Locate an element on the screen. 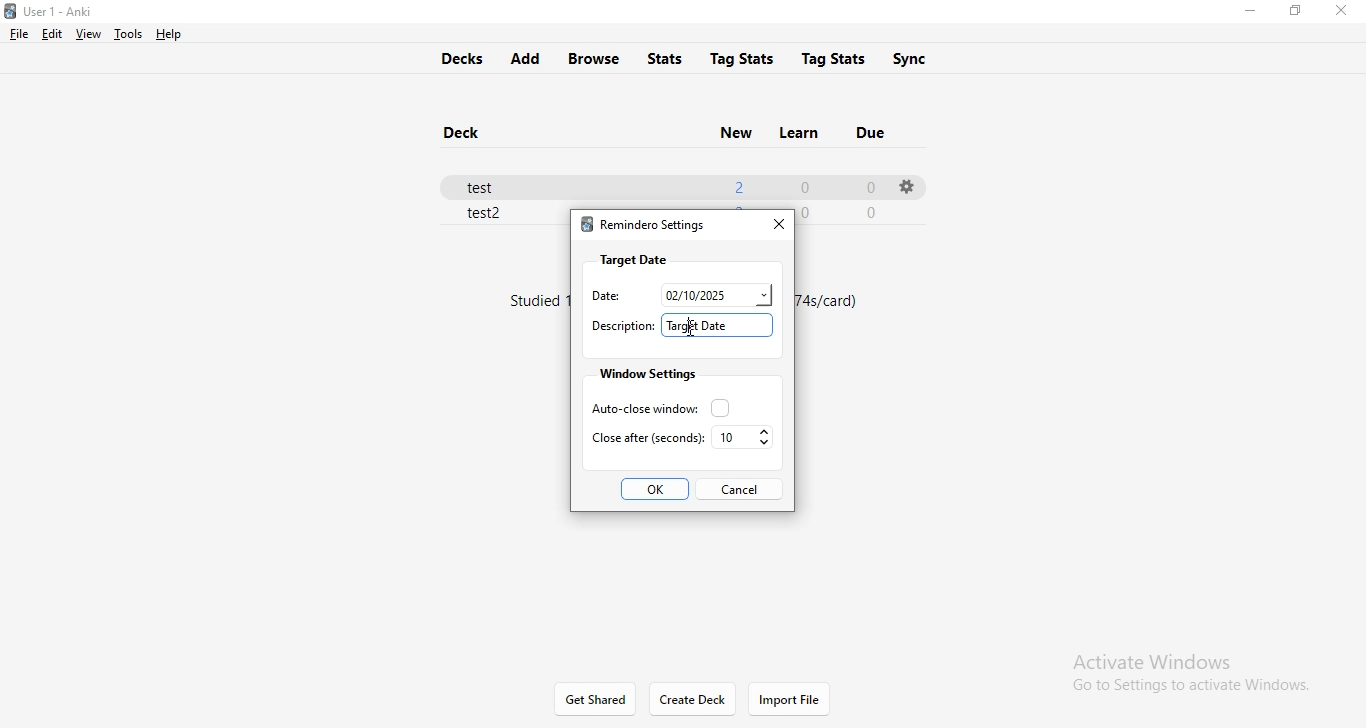  ok is located at coordinates (657, 490).